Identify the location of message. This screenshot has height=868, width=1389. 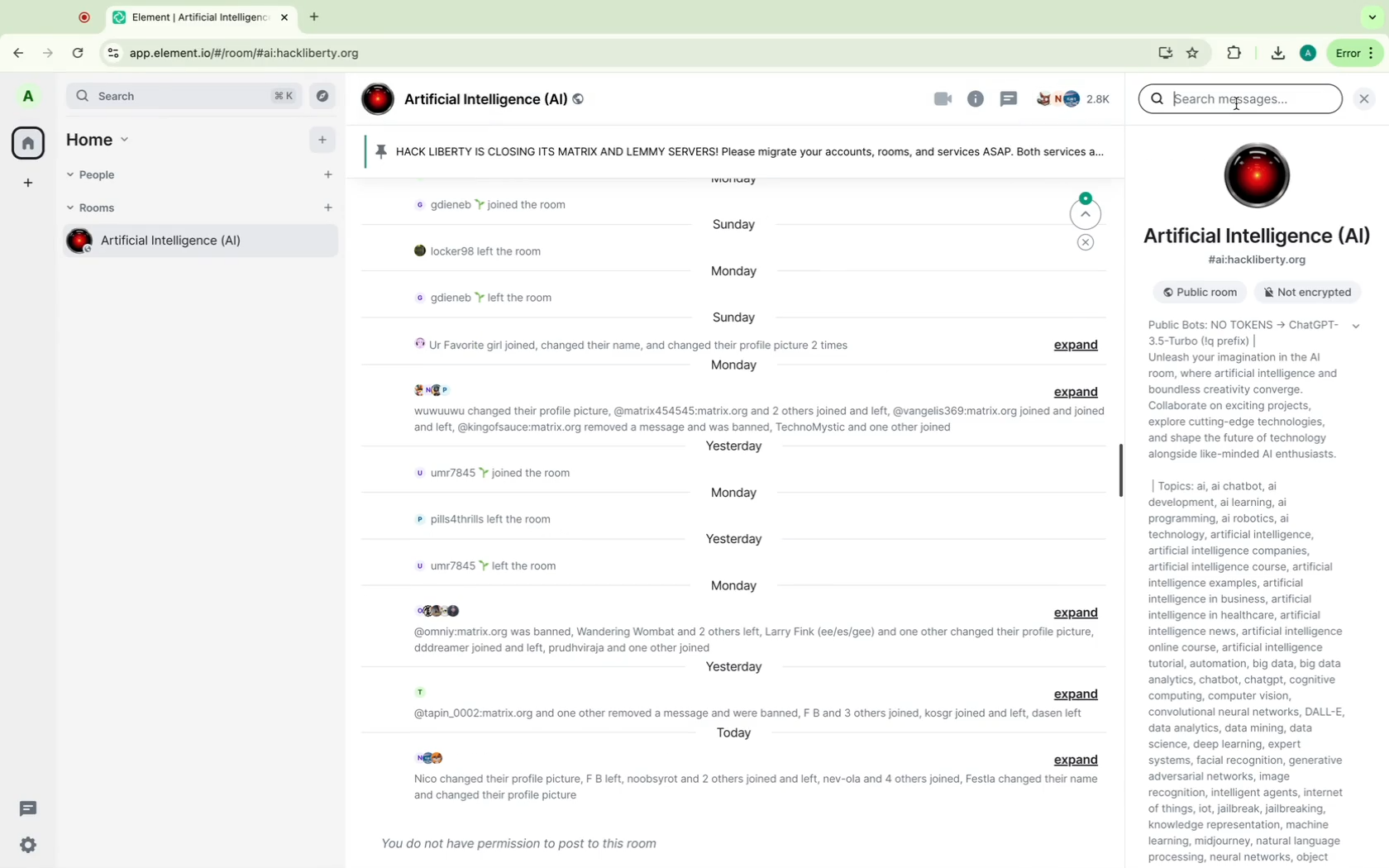
(498, 203).